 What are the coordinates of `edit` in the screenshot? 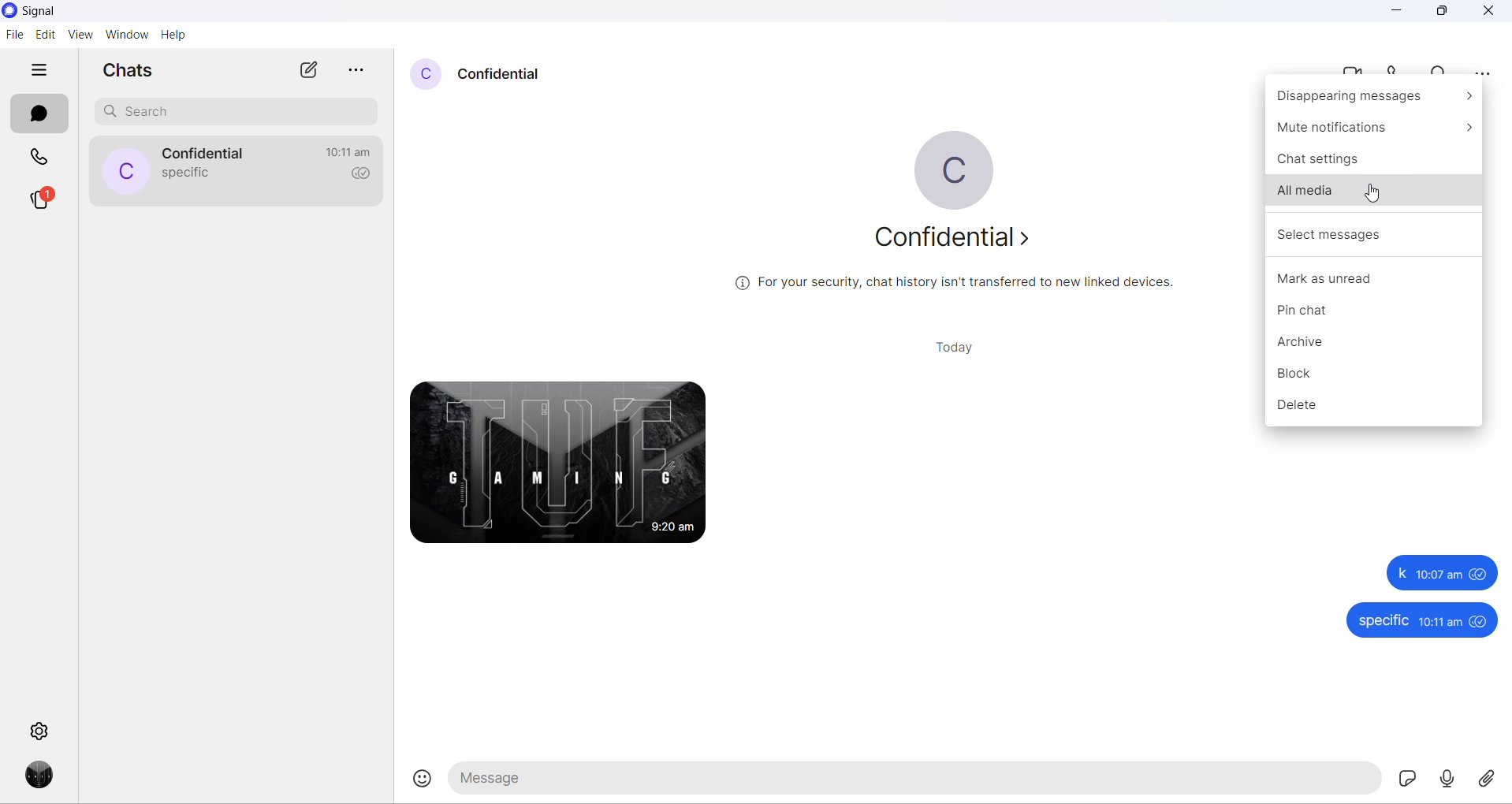 It's located at (45, 35).